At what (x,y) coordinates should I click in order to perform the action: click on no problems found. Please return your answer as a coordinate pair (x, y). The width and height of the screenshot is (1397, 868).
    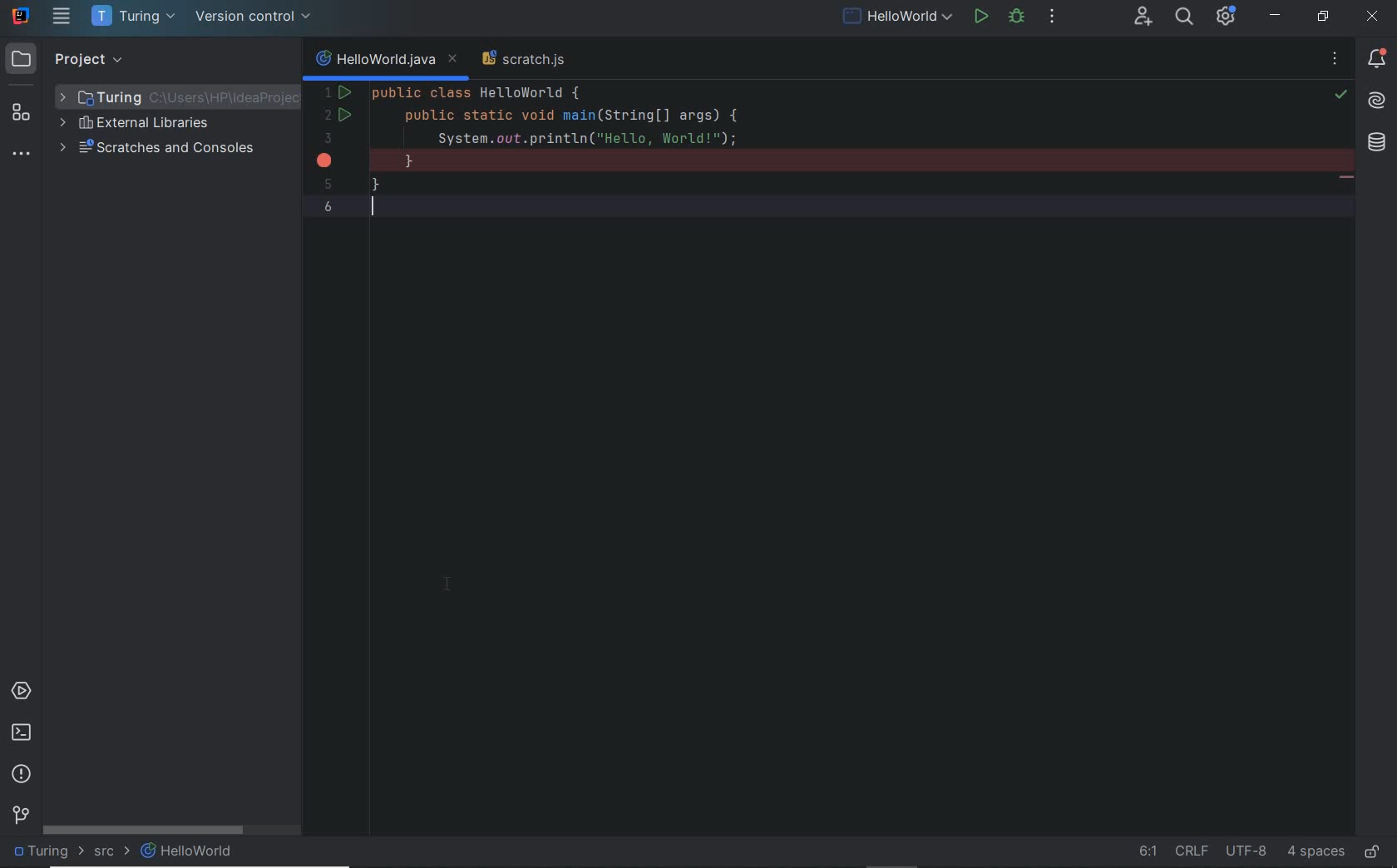
    Looking at the image, I should click on (1335, 61).